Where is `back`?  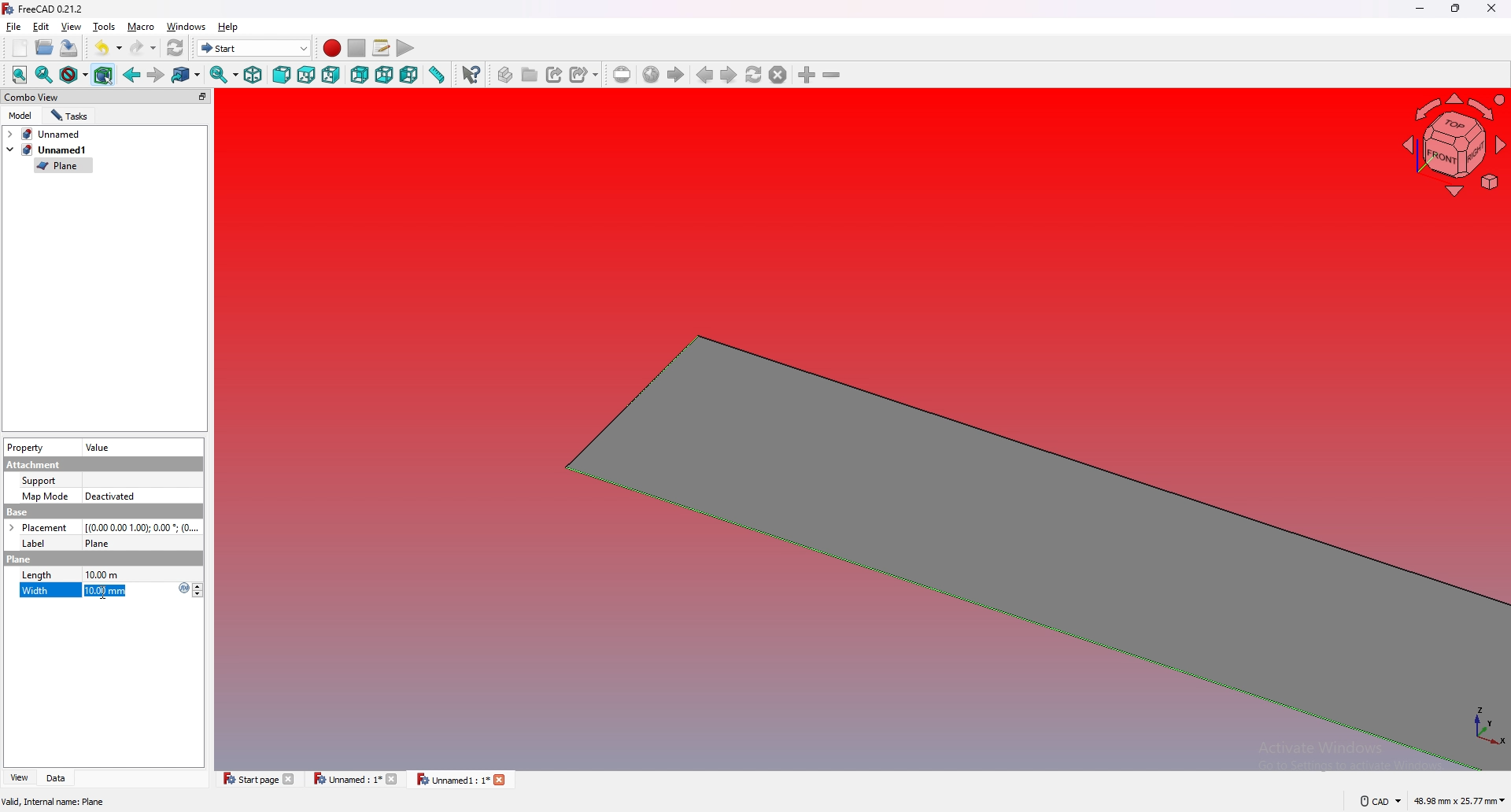 back is located at coordinates (132, 74).